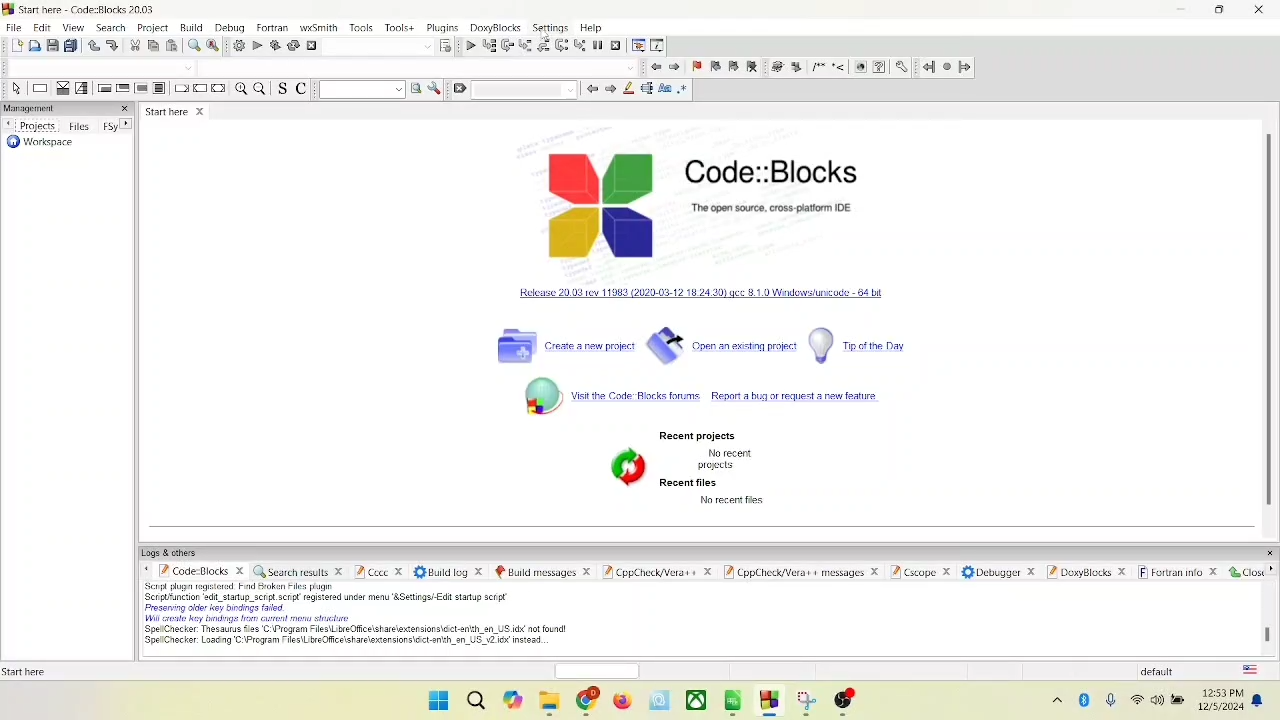  Describe the element at coordinates (153, 27) in the screenshot. I see `project` at that location.